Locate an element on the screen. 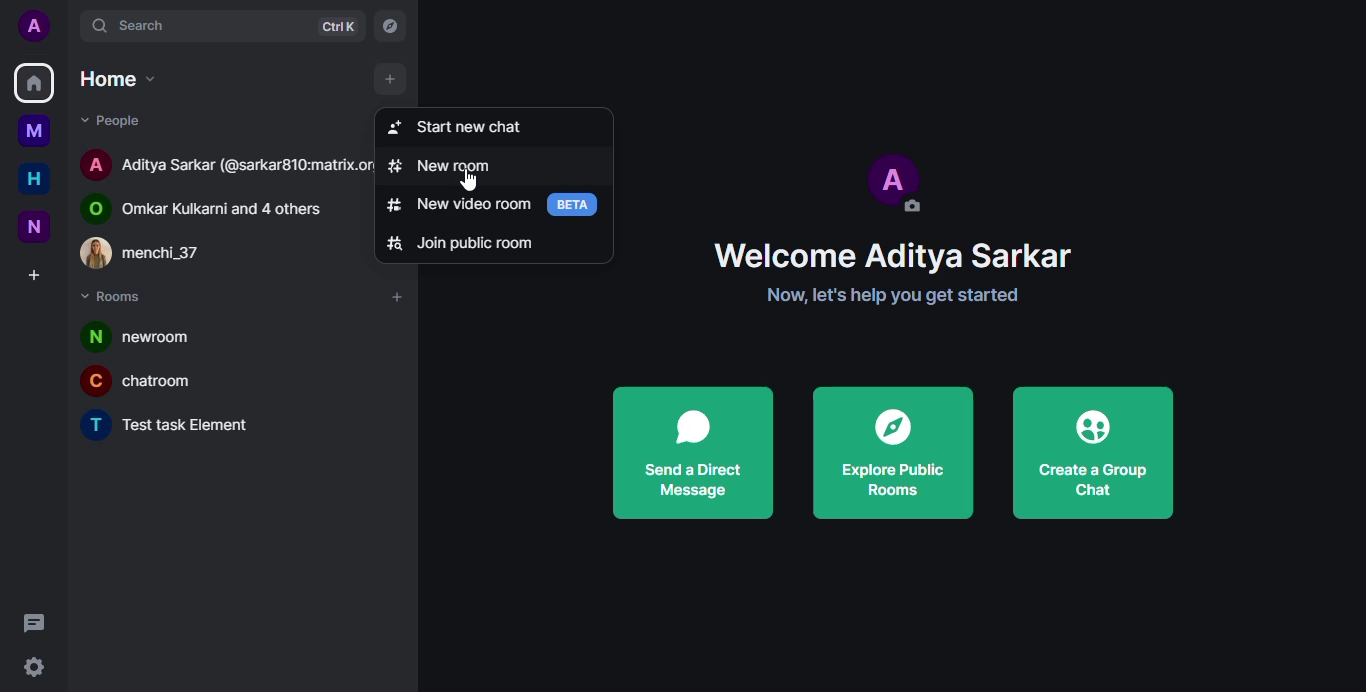 Image resolution: width=1366 pixels, height=692 pixels. profile is located at coordinates (31, 24).